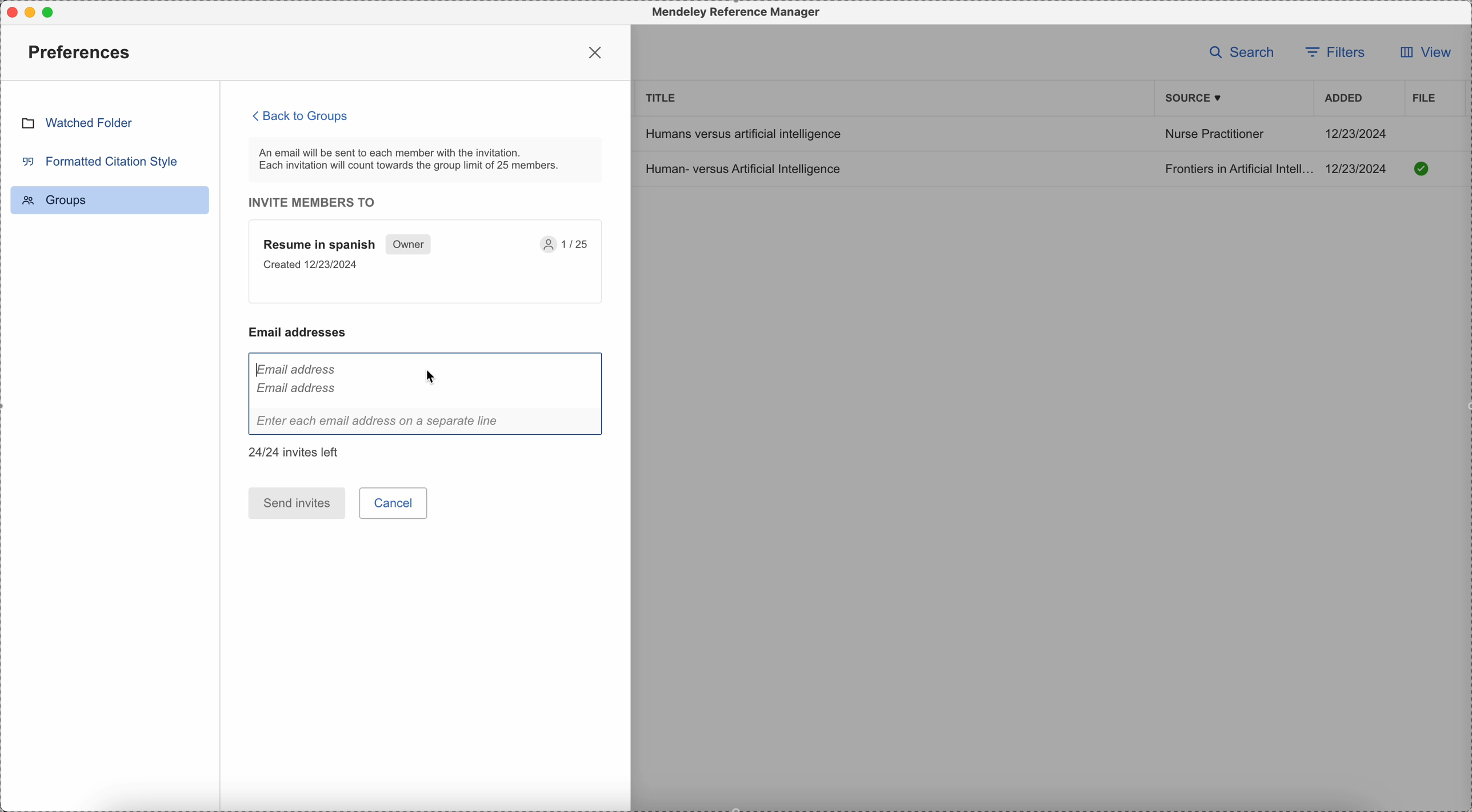 This screenshot has width=1472, height=812. Describe the element at coordinates (82, 51) in the screenshot. I see `preferences` at that location.